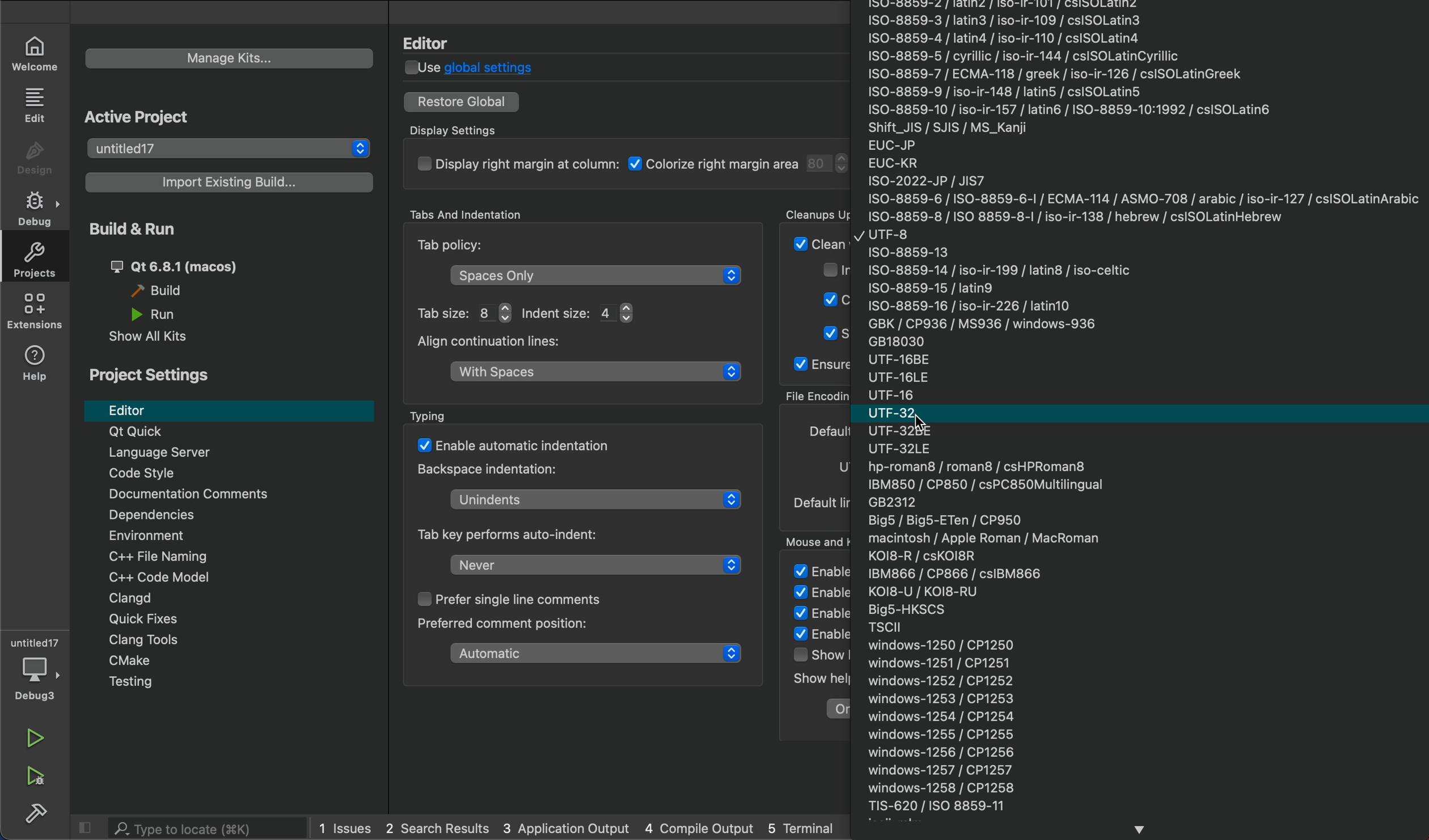 The image size is (1429, 840). Describe the element at coordinates (36, 107) in the screenshot. I see `edit` at that location.